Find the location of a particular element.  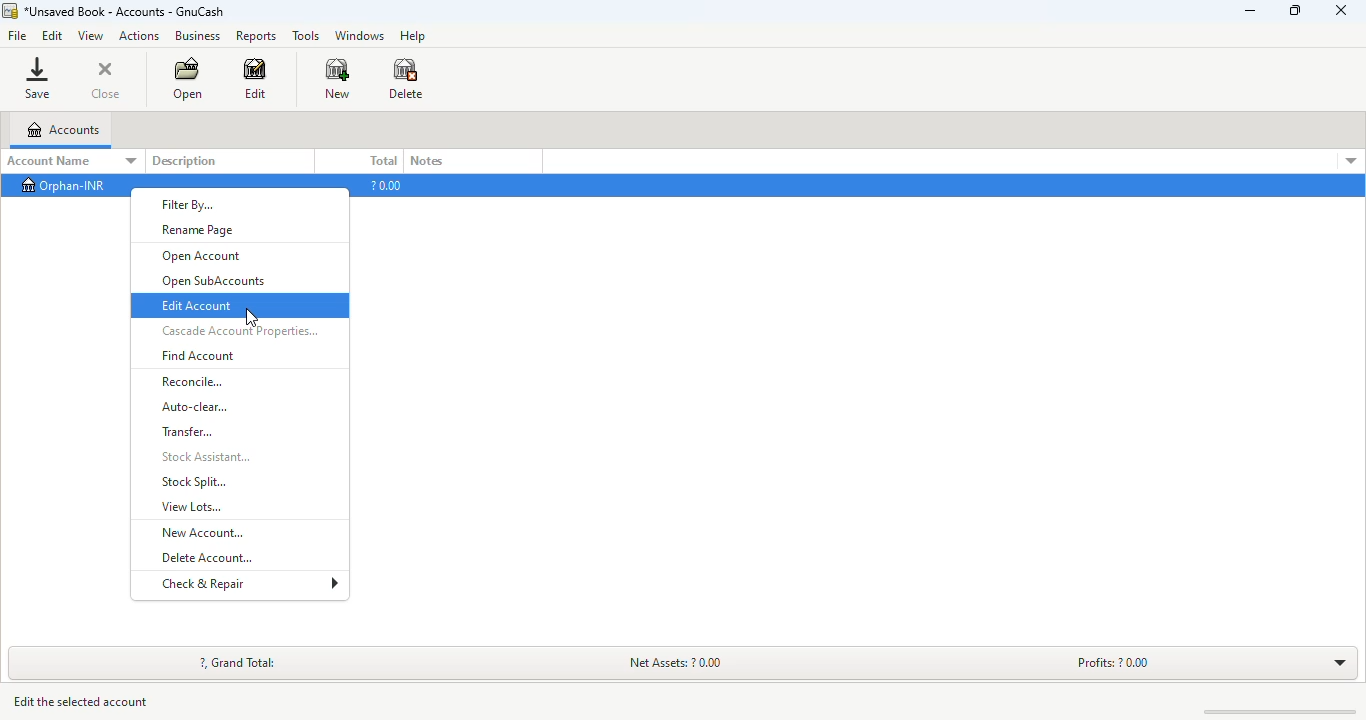

stock assistant is located at coordinates (206, 457).